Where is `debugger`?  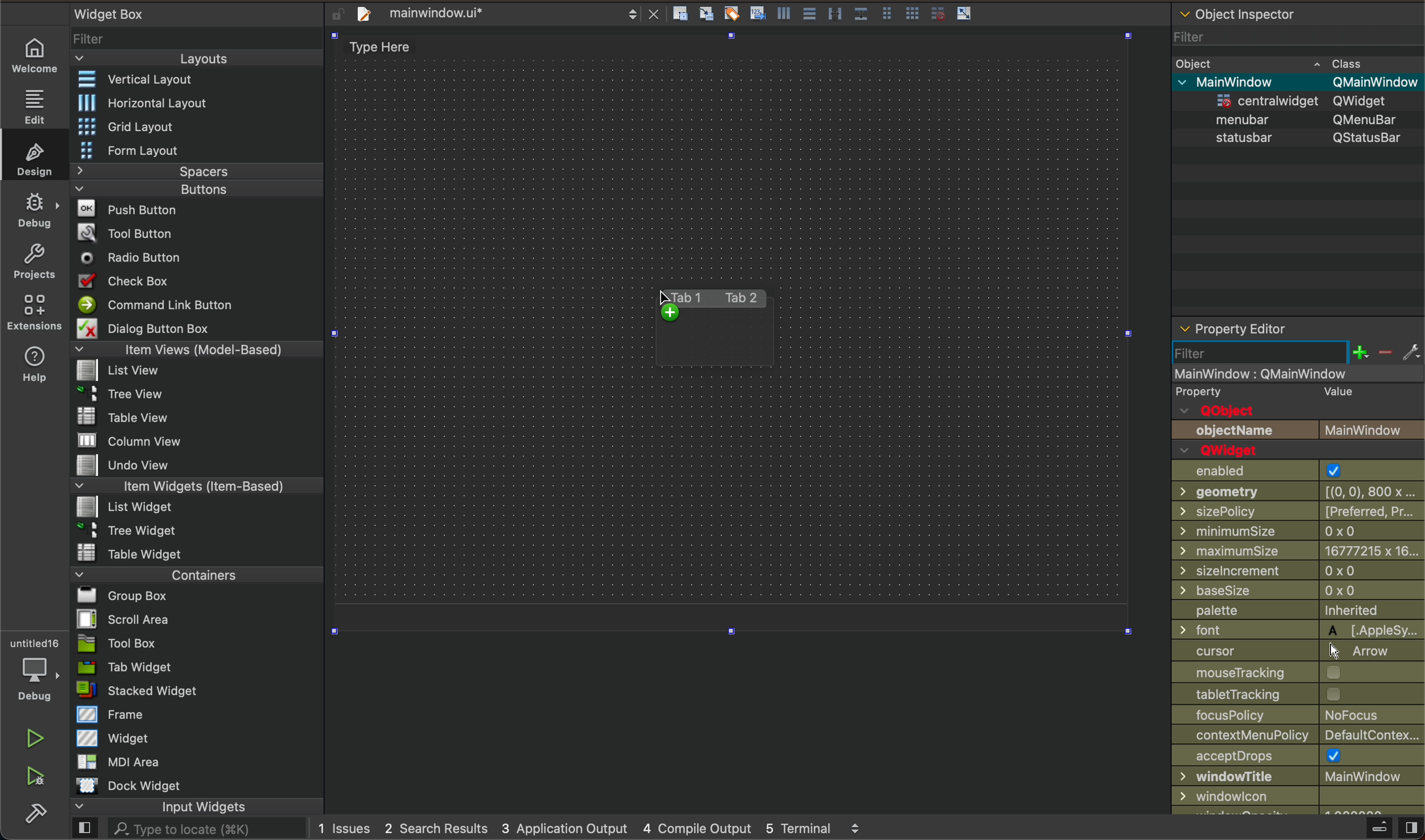
debugger is located at coordinates (32, 666).